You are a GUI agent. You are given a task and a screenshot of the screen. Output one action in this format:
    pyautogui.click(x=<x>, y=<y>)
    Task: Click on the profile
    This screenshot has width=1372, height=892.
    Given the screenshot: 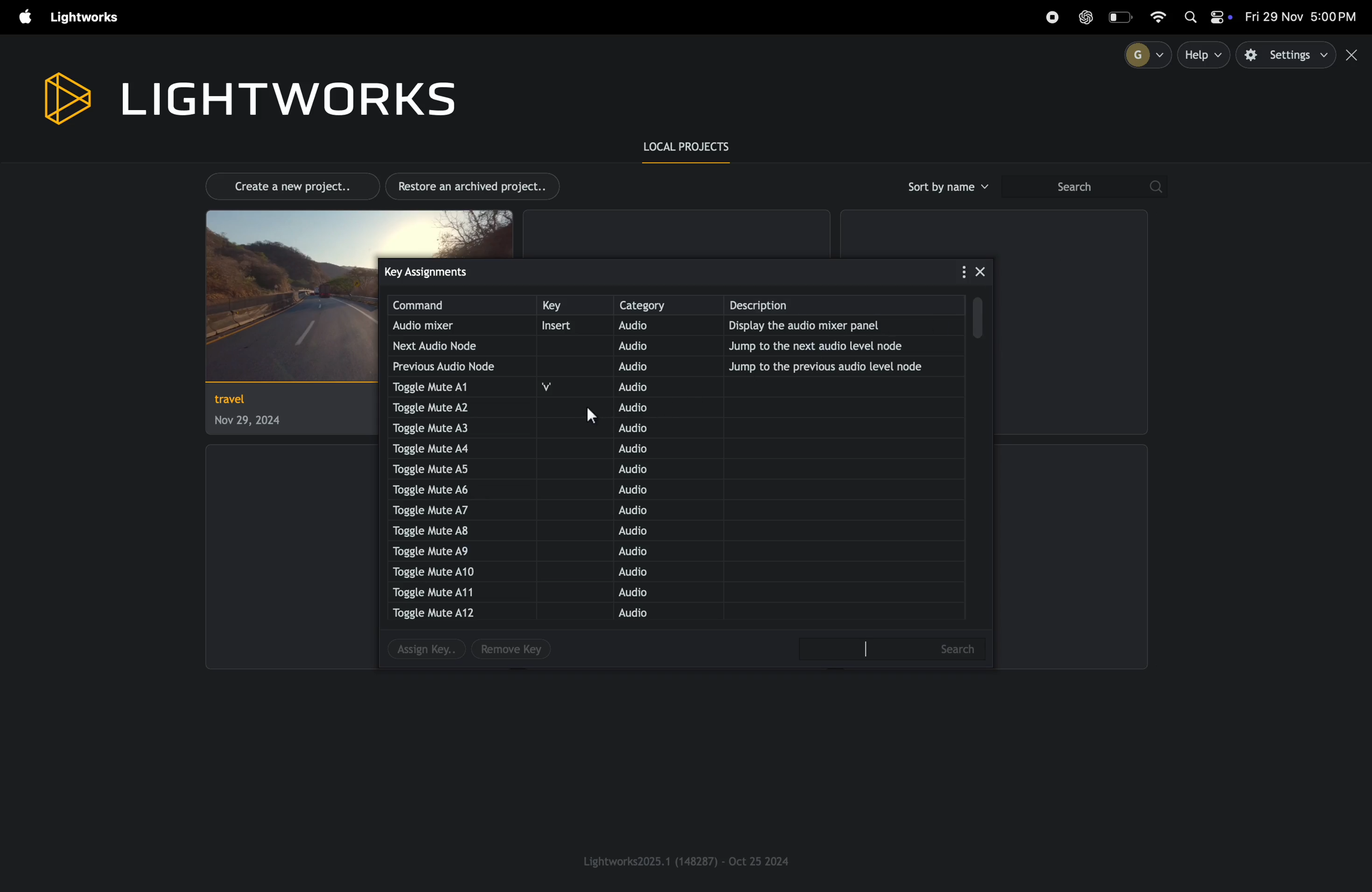 What is the action you would take?
    pyautogui.click(x=1143, y=54)
    